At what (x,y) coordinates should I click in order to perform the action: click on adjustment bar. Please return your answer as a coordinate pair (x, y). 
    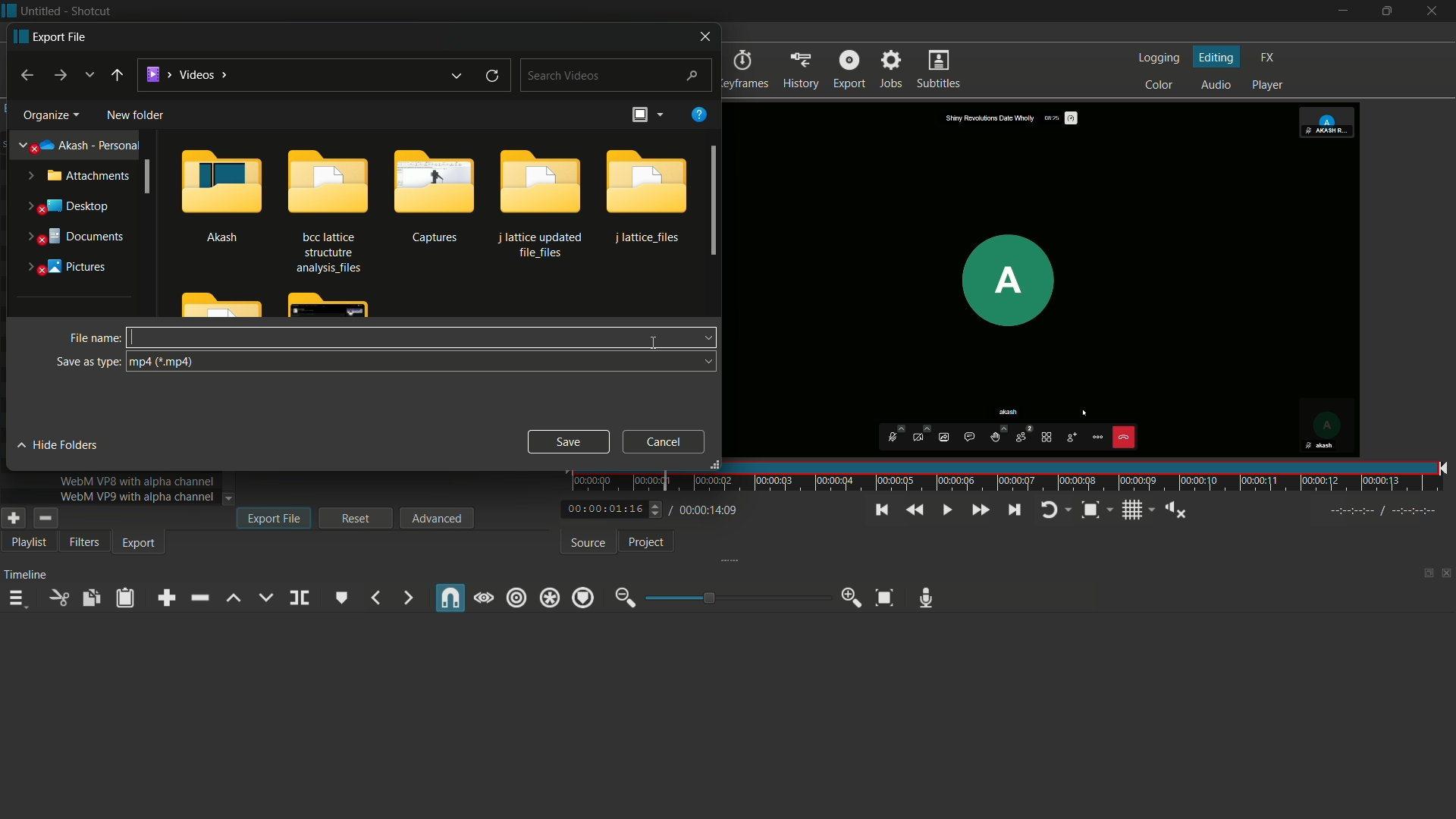
    Looking at the image, I should click on (739, 597).